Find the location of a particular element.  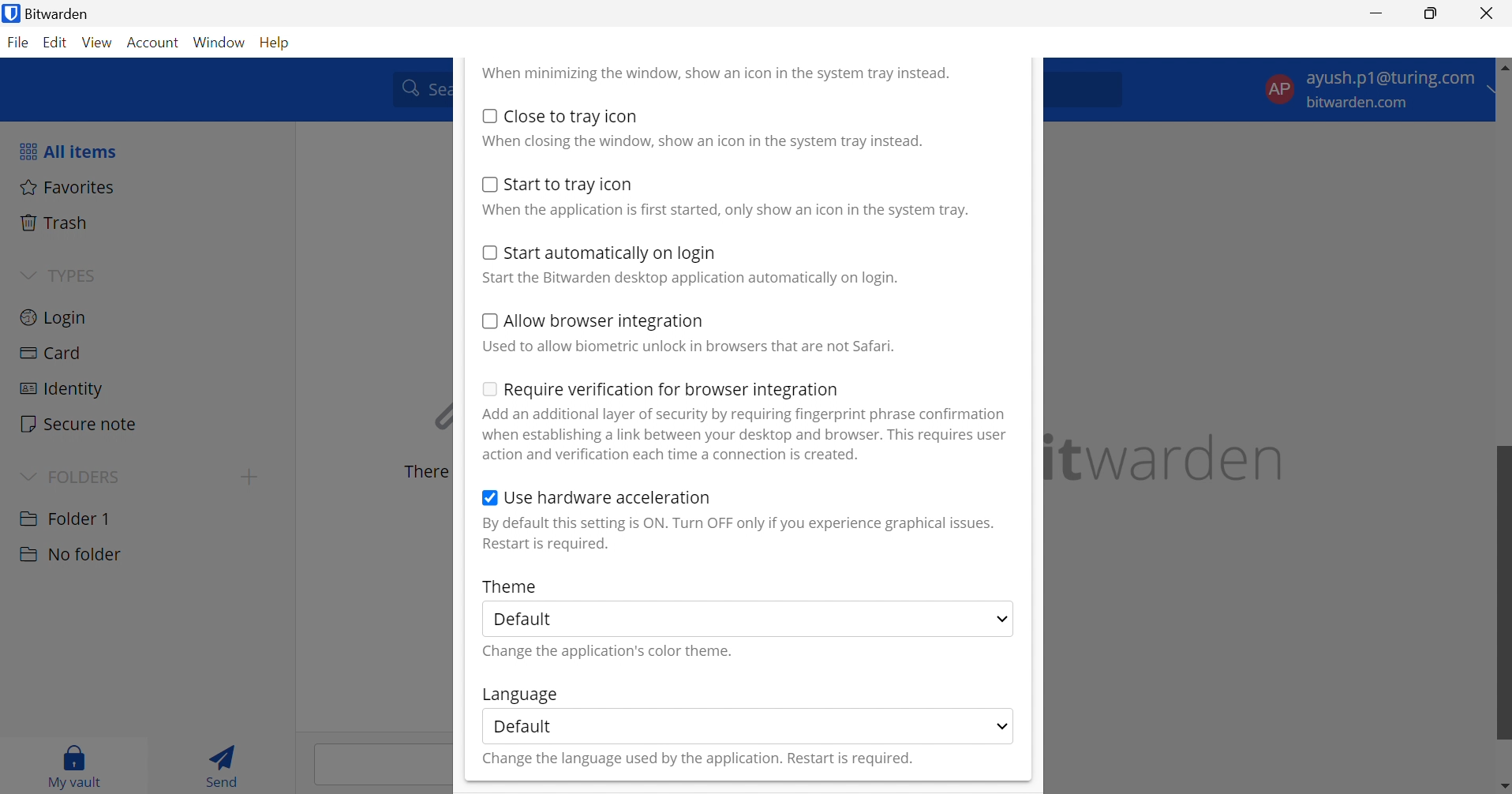

bitwarden logo is located at coordinates (9, 15).